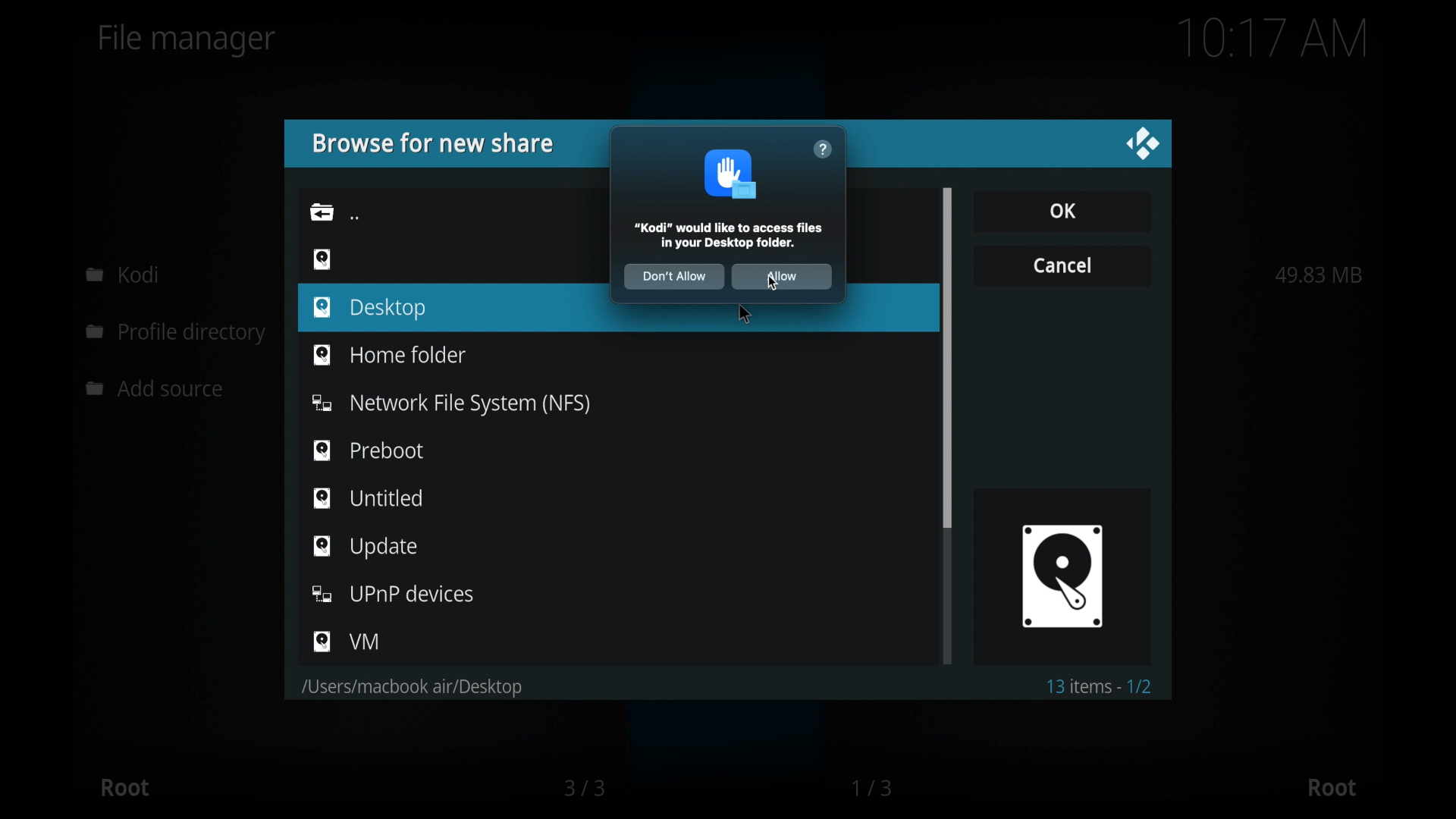 This screenshot has height=819, width=1456. I want to click on don't allow, so click(673, 277).